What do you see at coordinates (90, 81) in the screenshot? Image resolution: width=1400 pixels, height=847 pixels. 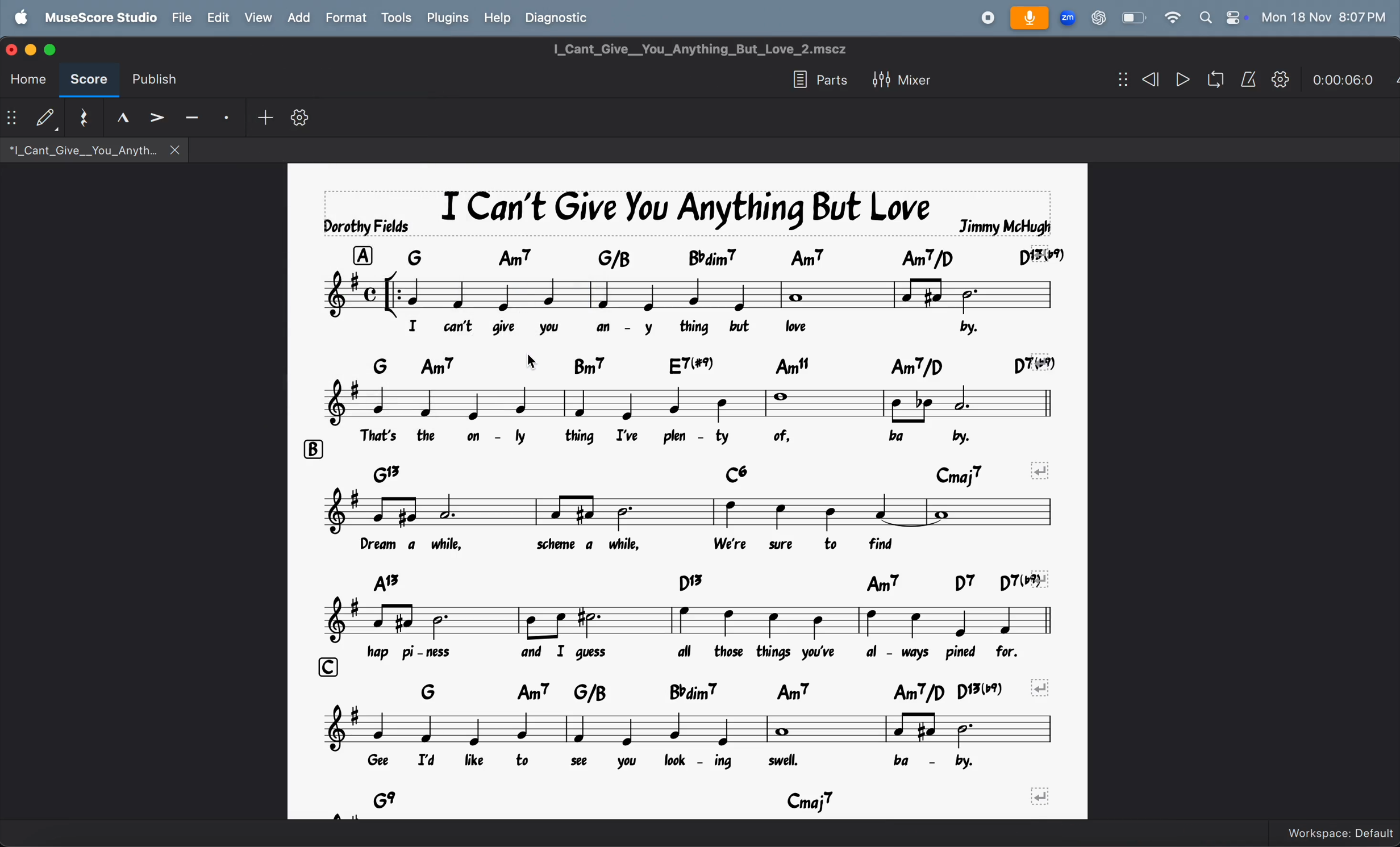 I see `score` at bounding box center [90, 81].